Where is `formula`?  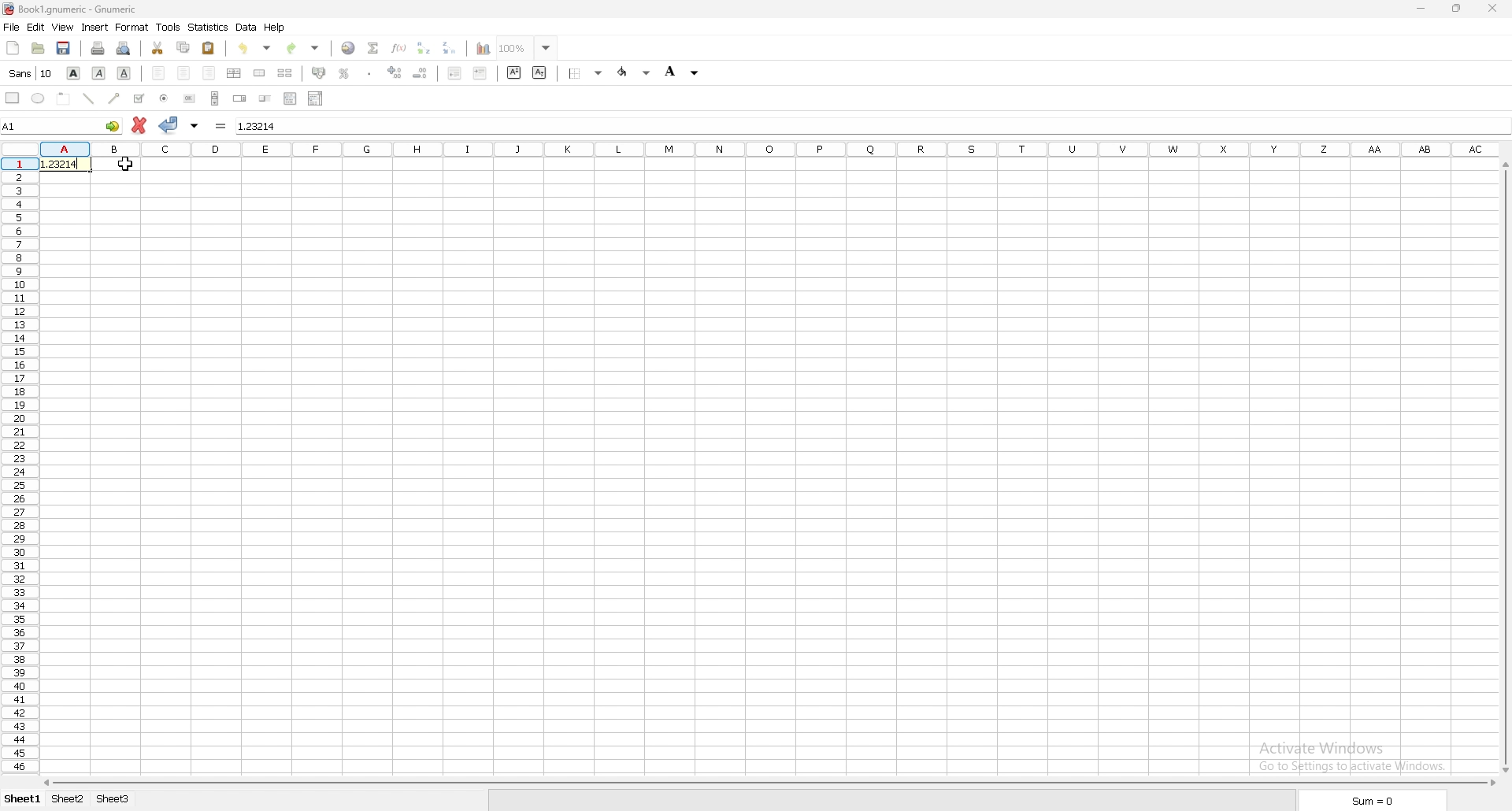 formula is located at coordinates (222, 124).